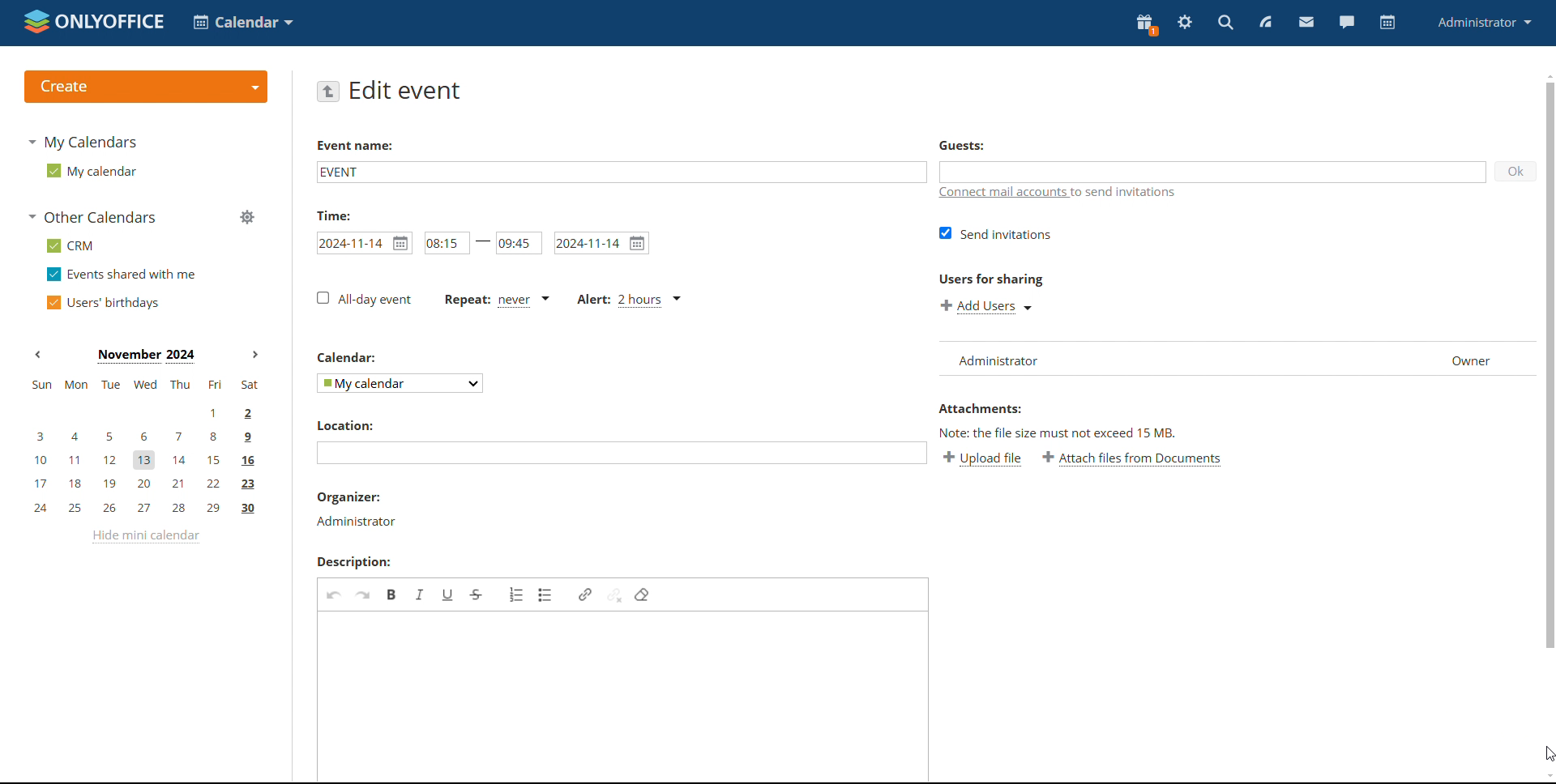  What do you see at coordinates (1546, 777) in the screenshot?
I see `scroll down` at bounding box center [1546, 777].